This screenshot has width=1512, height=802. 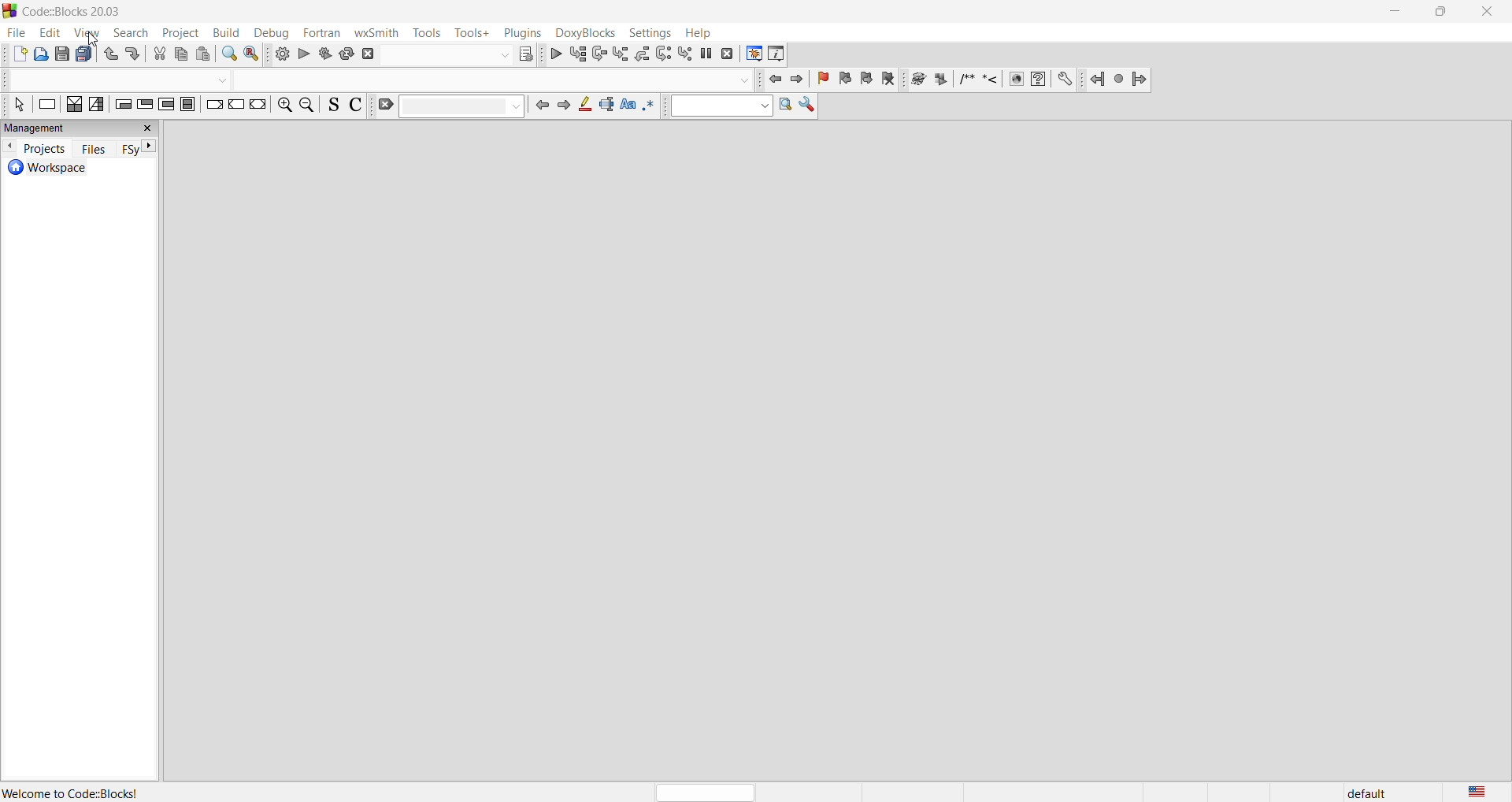 I want to click on various info, so click(x=776, y=54).